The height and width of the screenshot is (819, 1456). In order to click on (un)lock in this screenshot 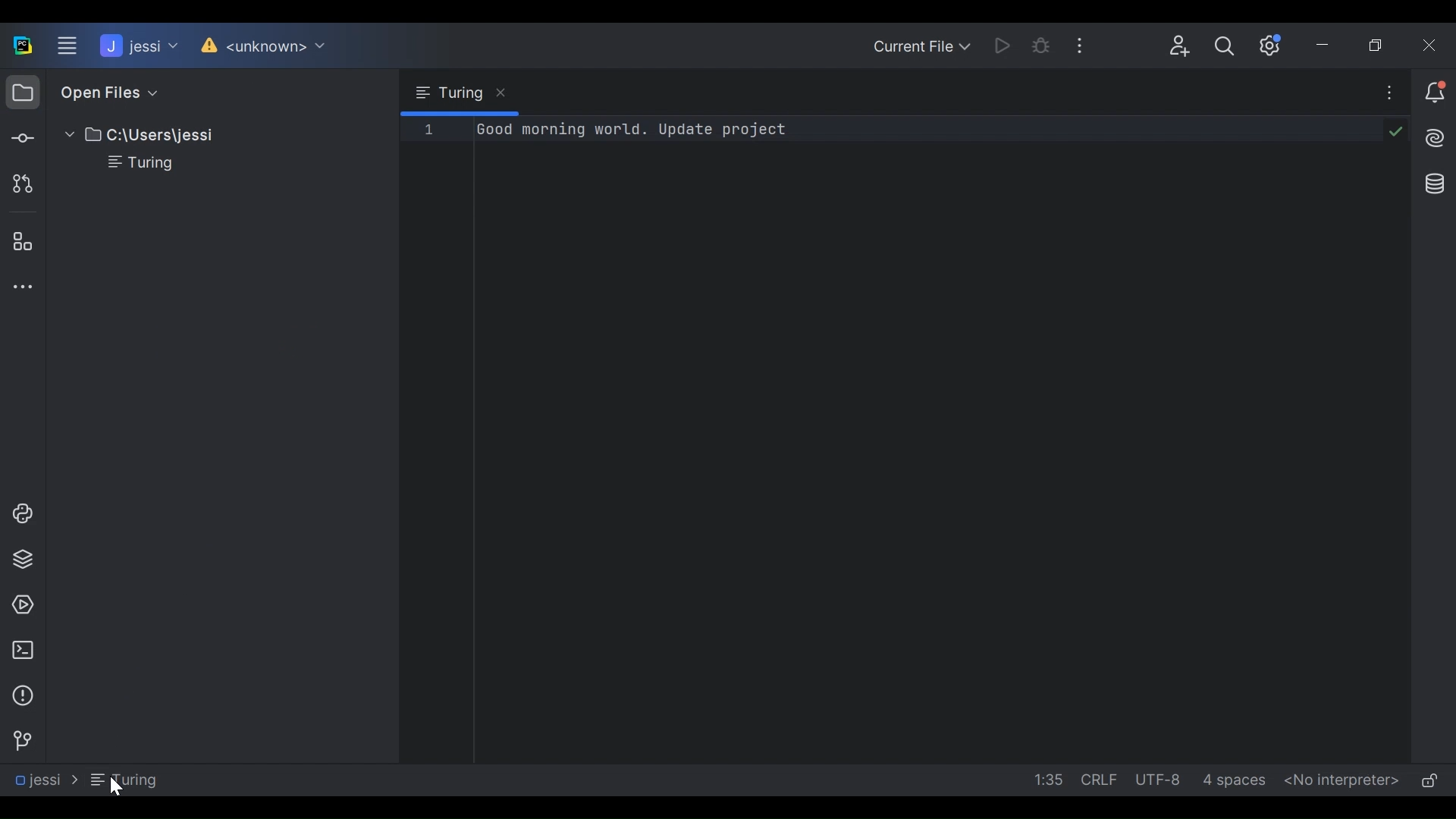, I will do `click(1427, 780)`.